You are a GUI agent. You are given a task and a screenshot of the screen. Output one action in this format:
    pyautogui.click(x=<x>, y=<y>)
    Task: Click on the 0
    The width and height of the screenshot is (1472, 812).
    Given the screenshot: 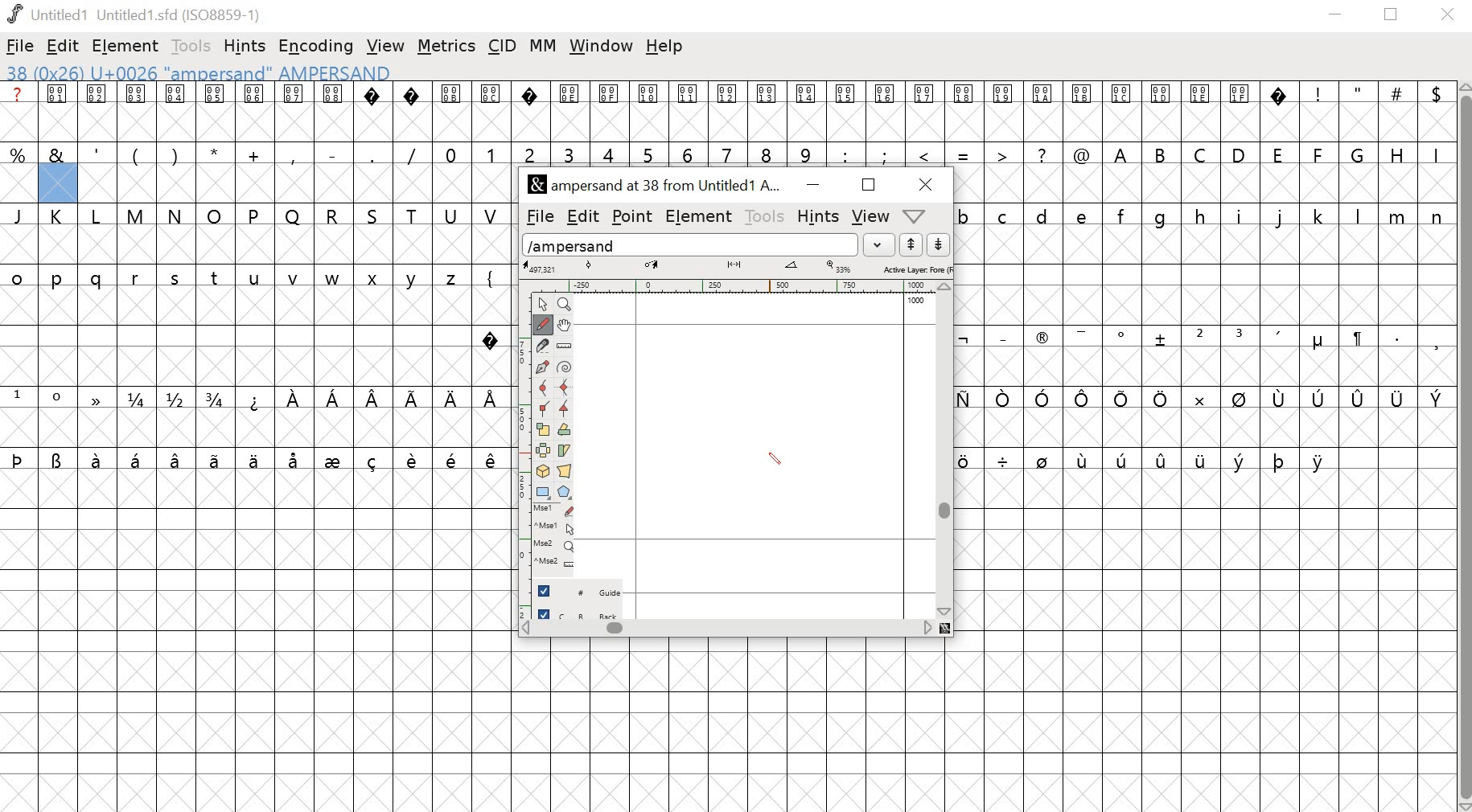 What is the action you would take?
    pyautogui.click(x=60, y=399)
    